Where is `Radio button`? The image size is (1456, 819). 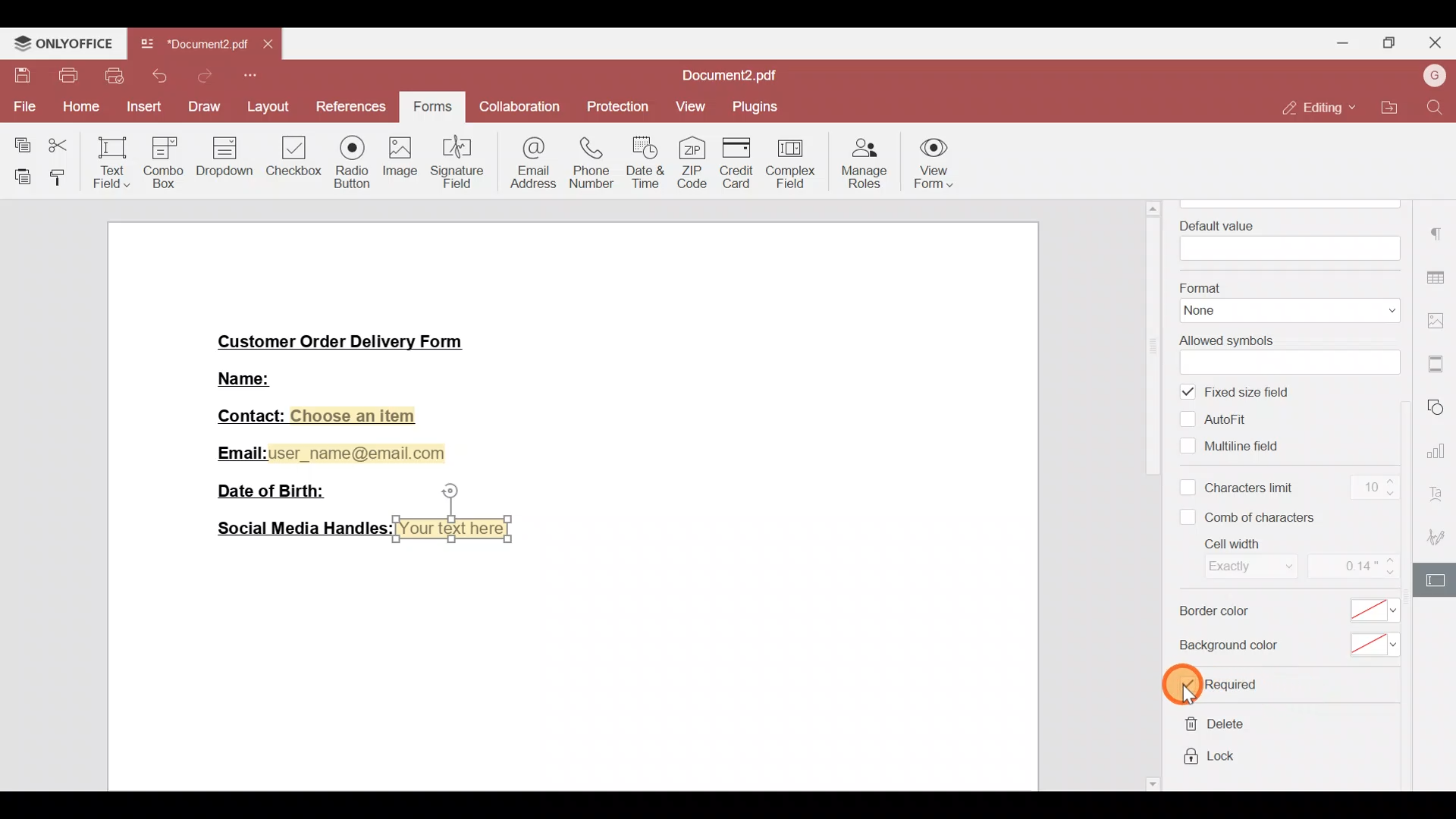 Radio button is located at coordinates (347, 159).